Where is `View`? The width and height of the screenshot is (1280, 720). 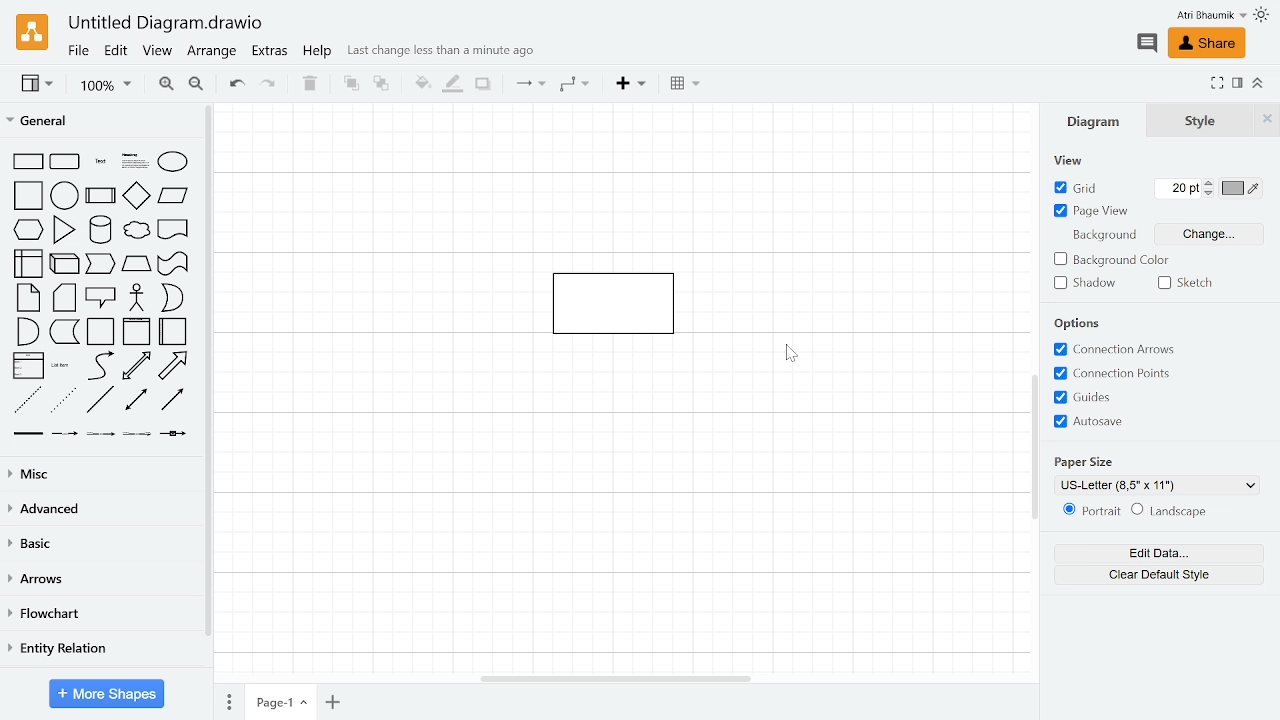
View is located at coordinates (38, 86).